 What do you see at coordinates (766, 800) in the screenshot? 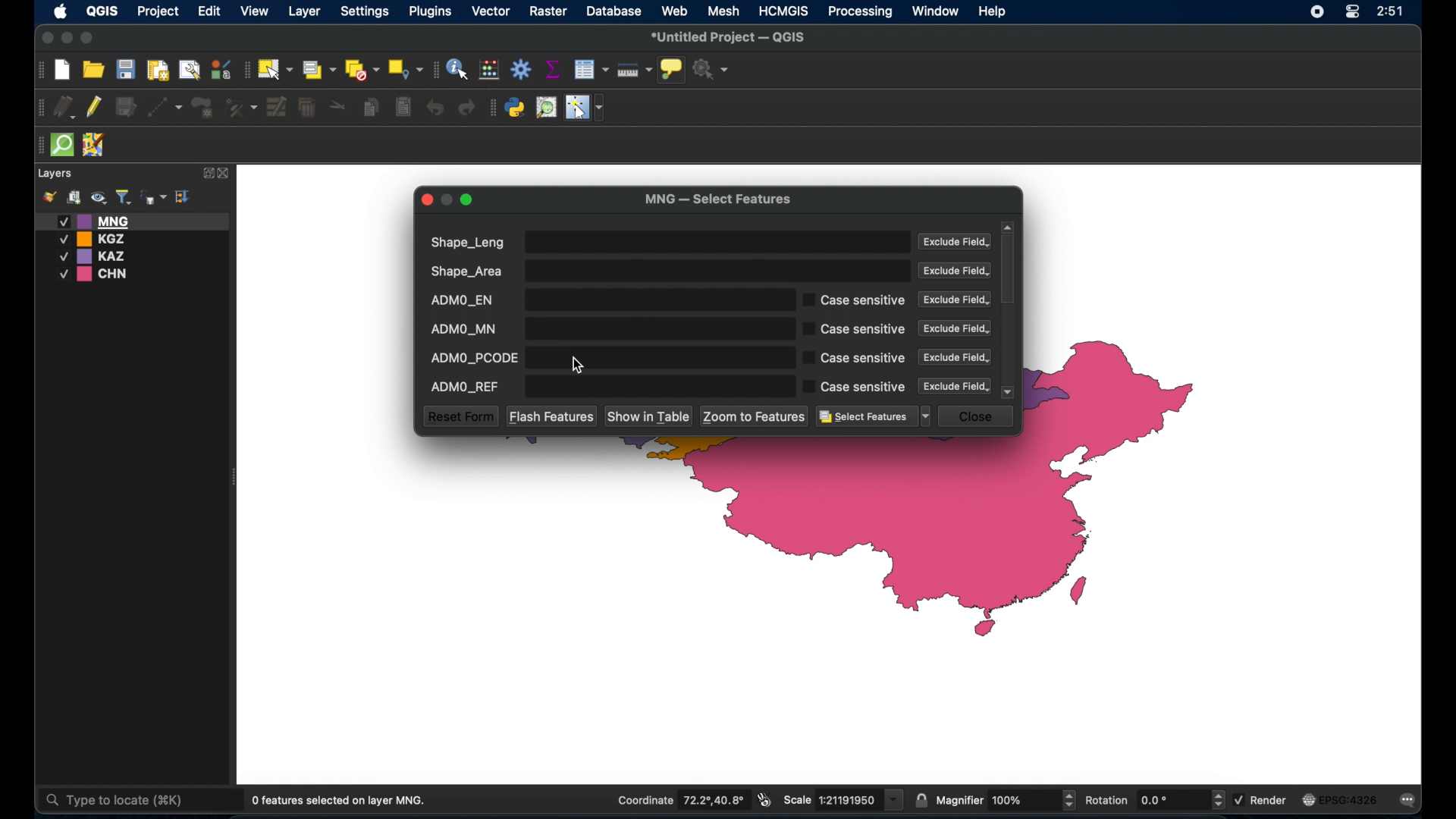
I see `toggle extents and mouse display position` at bounding box center [766, 800].